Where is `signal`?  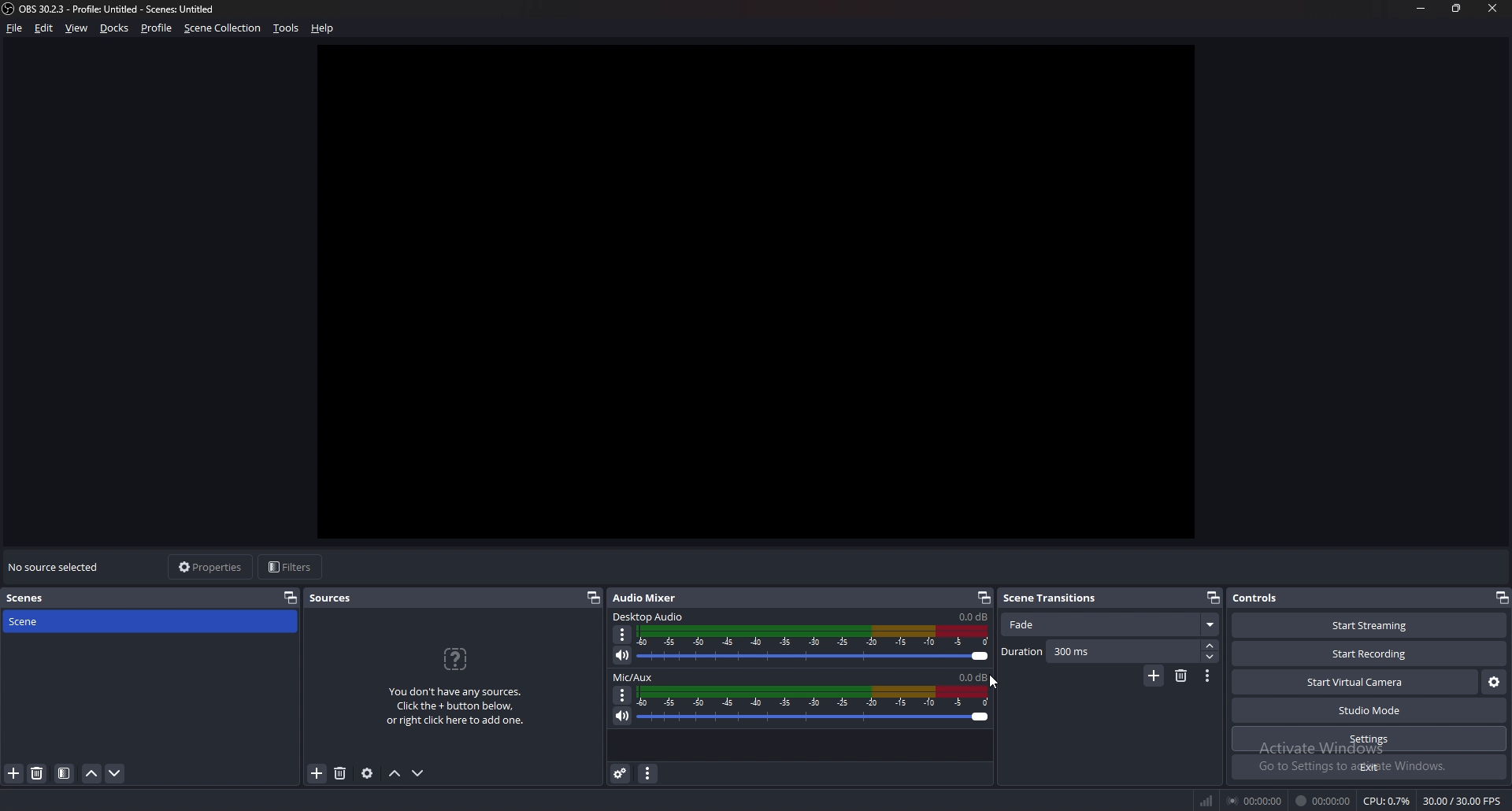 signal is located at coordinates (1204, 798).